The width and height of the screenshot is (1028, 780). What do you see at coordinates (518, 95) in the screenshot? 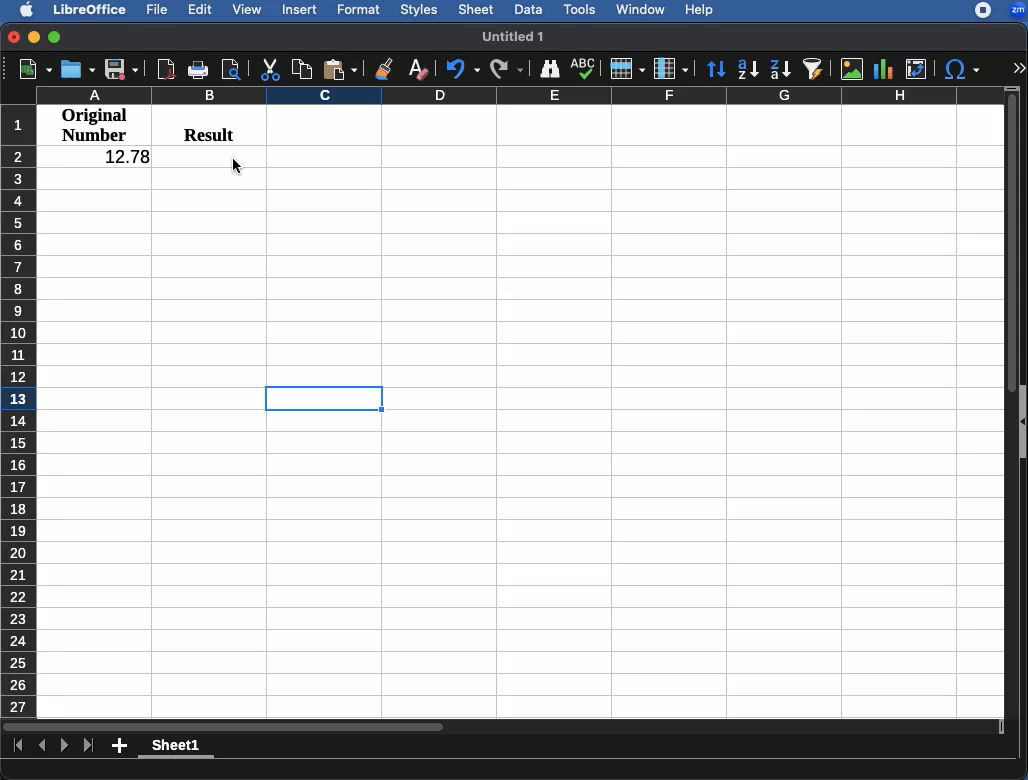
I see `Columns` at bounding box center [518, 95].